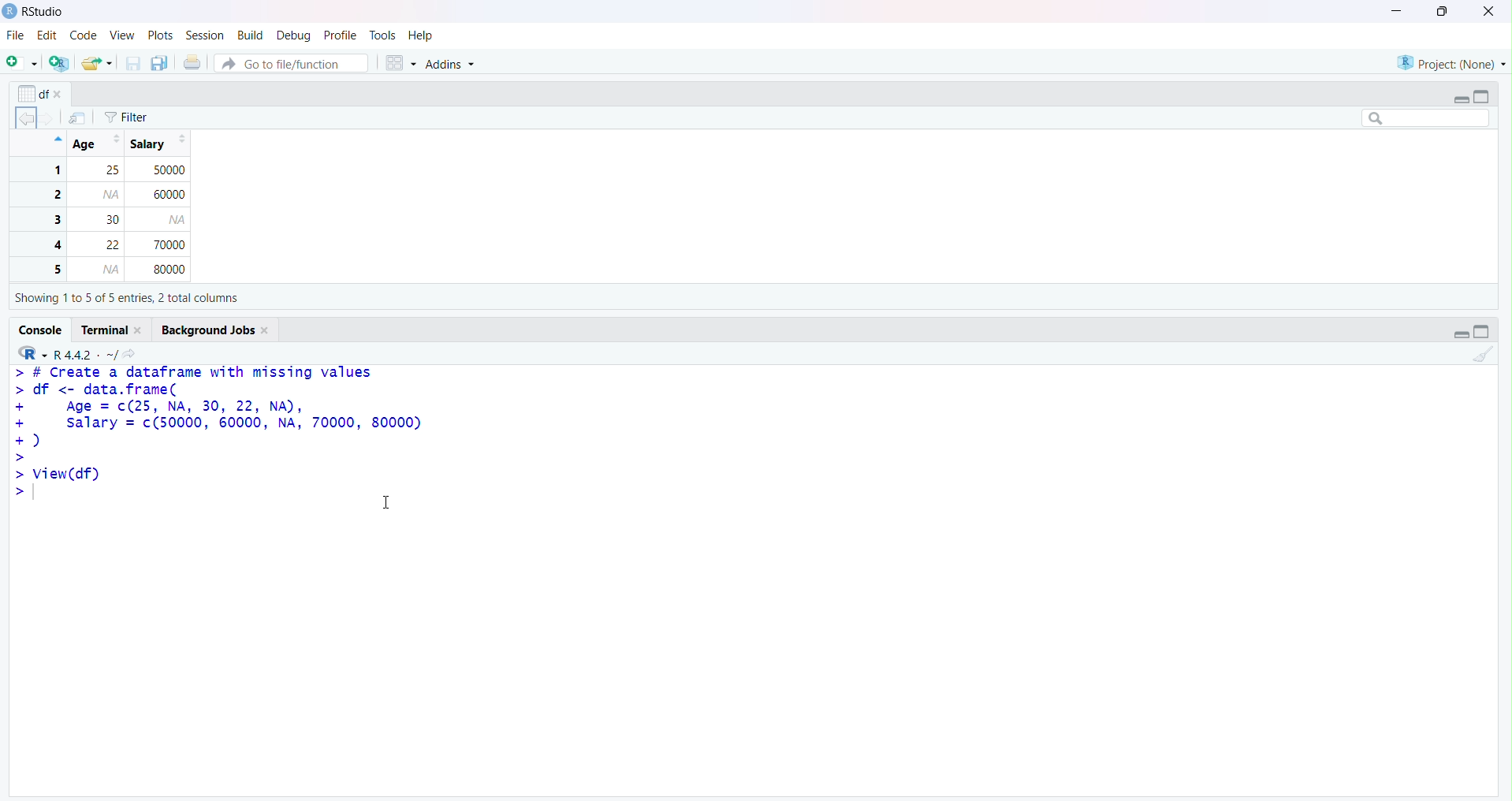  I want to click on Help, so click(421, 36).